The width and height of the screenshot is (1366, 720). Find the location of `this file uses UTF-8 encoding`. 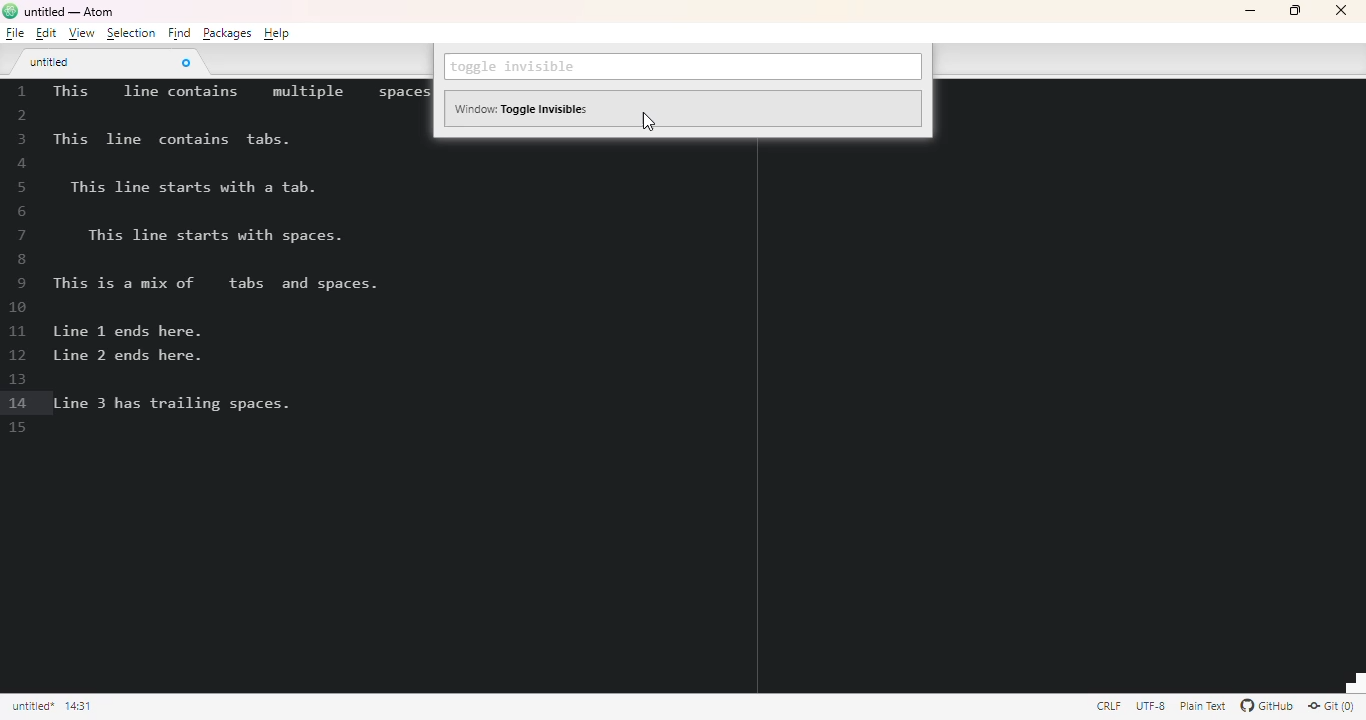

this file uses UTF-8 encoding is located at coordinates (1151, 706).